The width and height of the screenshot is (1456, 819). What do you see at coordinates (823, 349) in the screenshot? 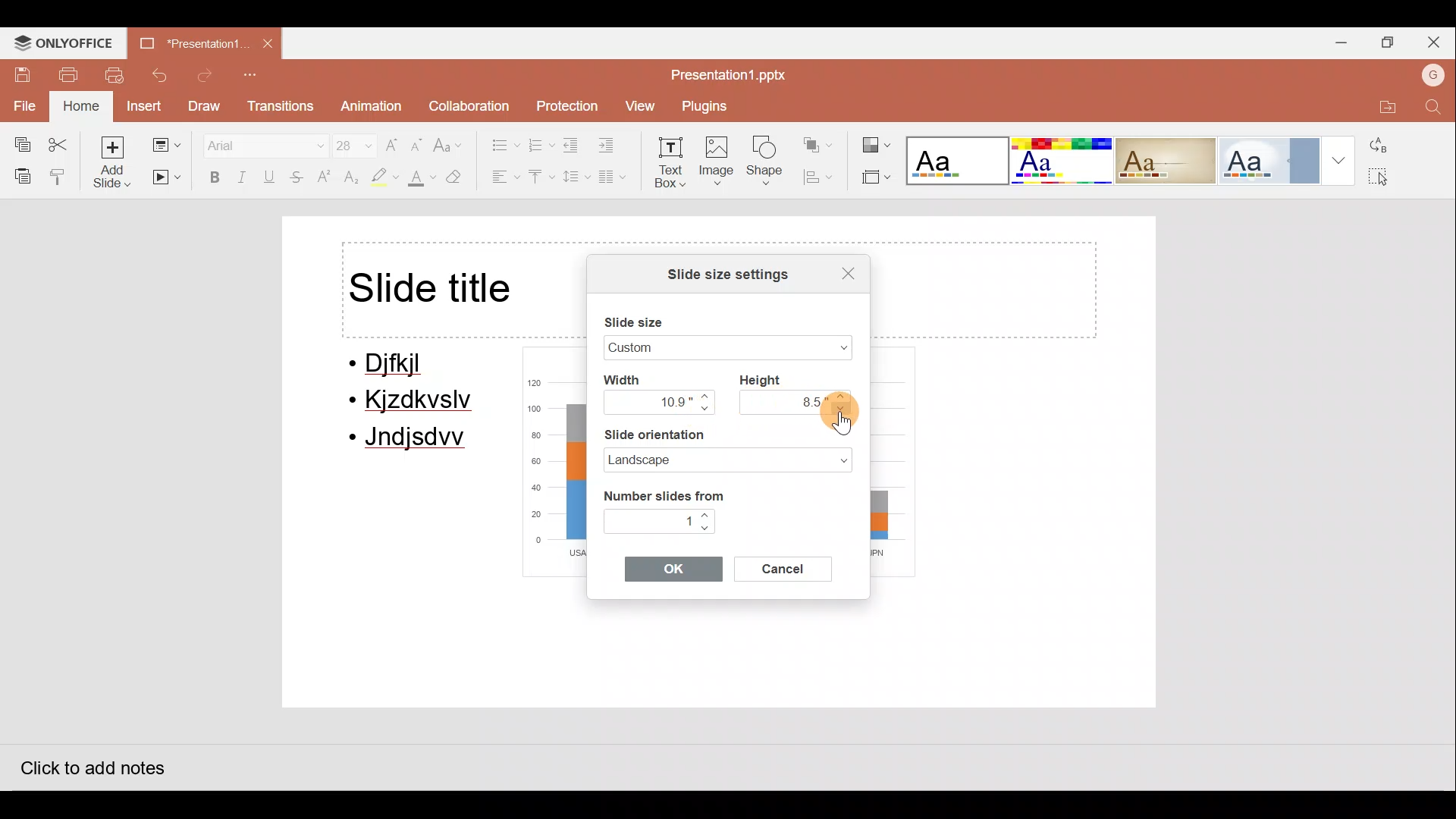
I see `Slide size drop down` at bounding box center [823, 349].